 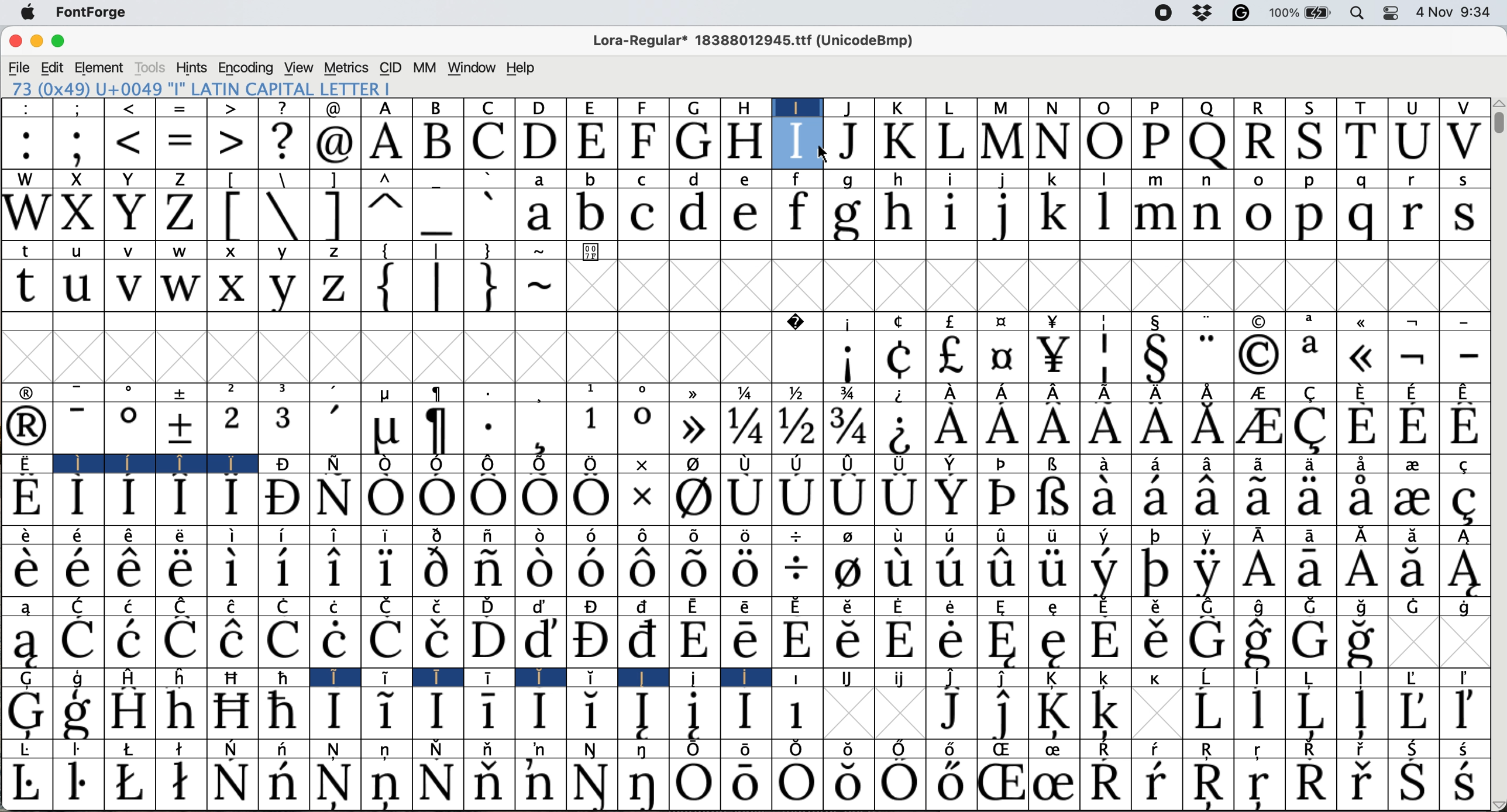 I want to click on Symbol, so click(x=592, y=713).